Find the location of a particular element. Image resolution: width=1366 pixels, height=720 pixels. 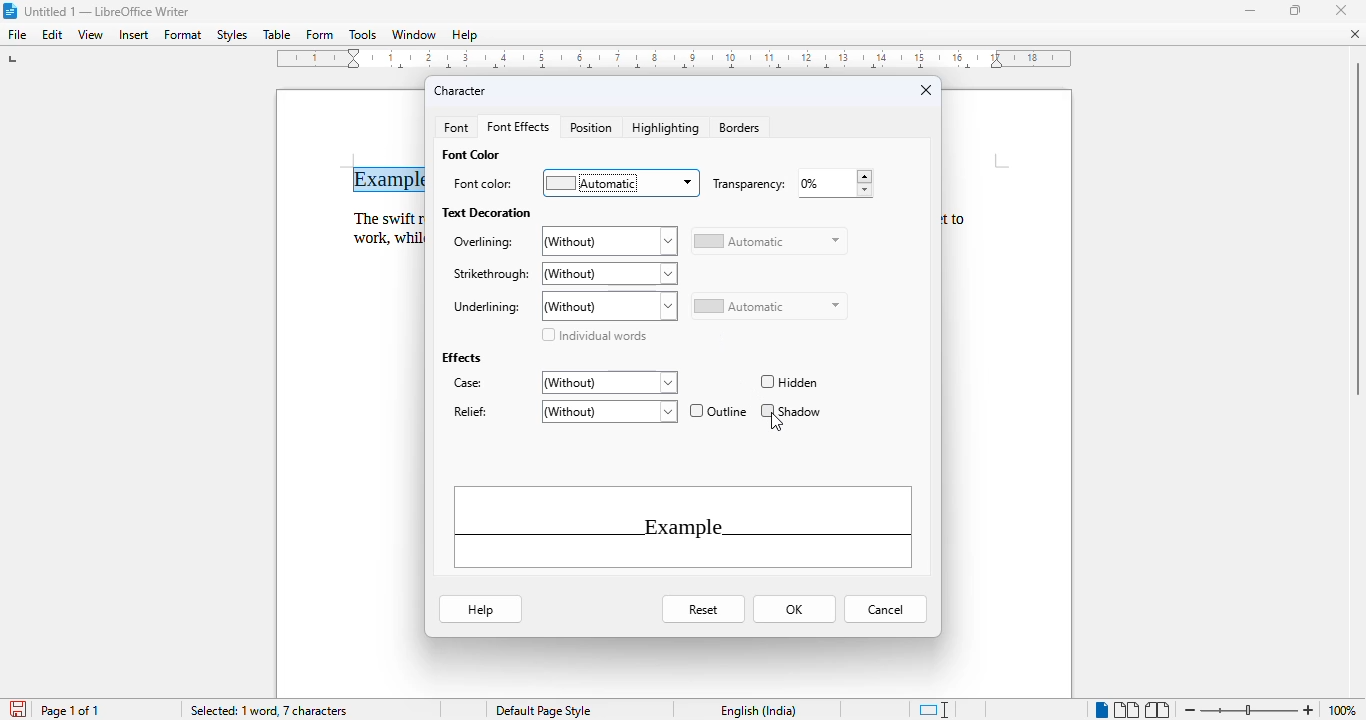

font effects is located at coordinates (519, 127).